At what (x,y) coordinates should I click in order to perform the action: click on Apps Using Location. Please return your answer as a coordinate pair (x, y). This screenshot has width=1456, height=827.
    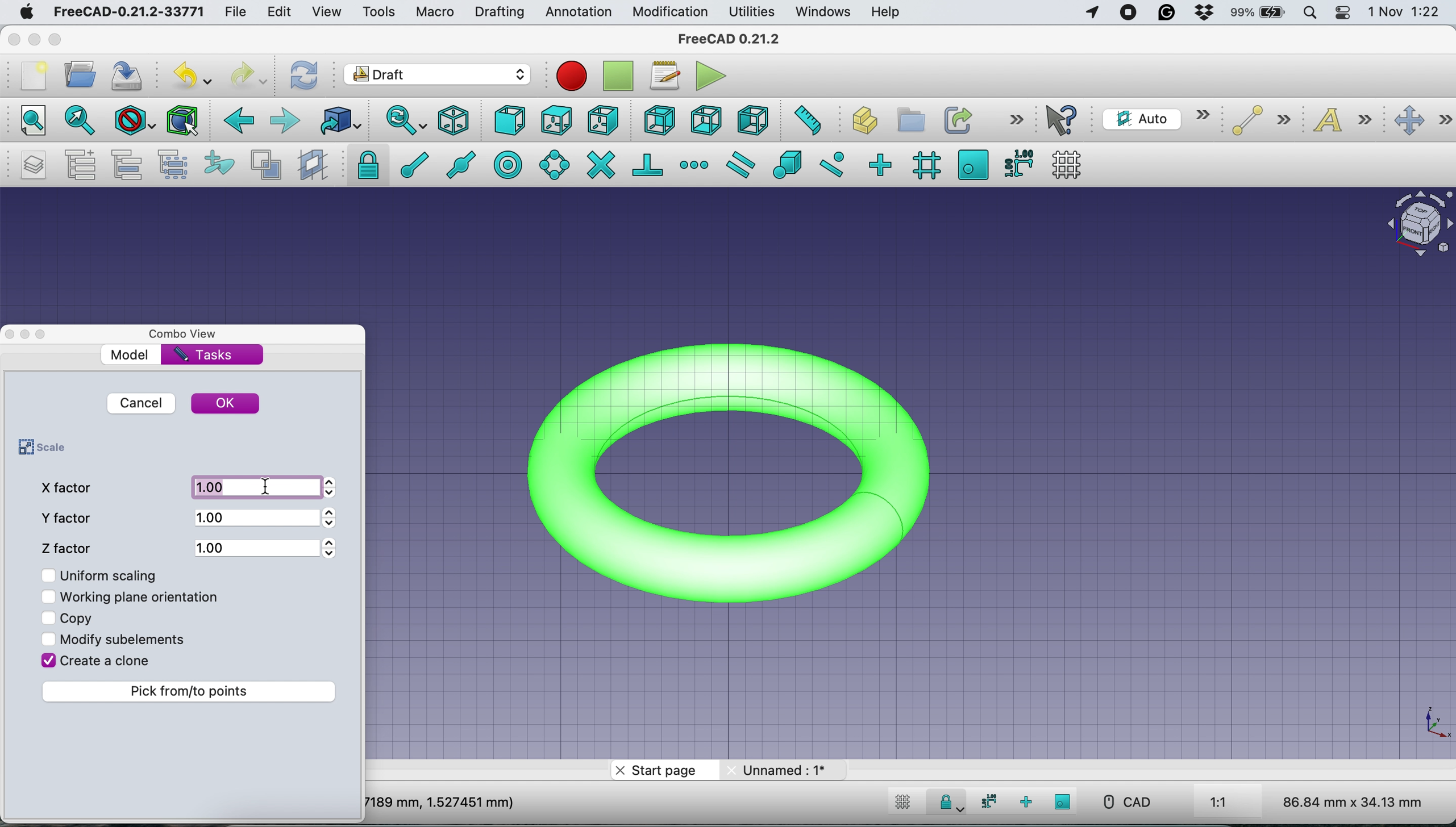
    Looking at the image, I should click on (1092, 14).